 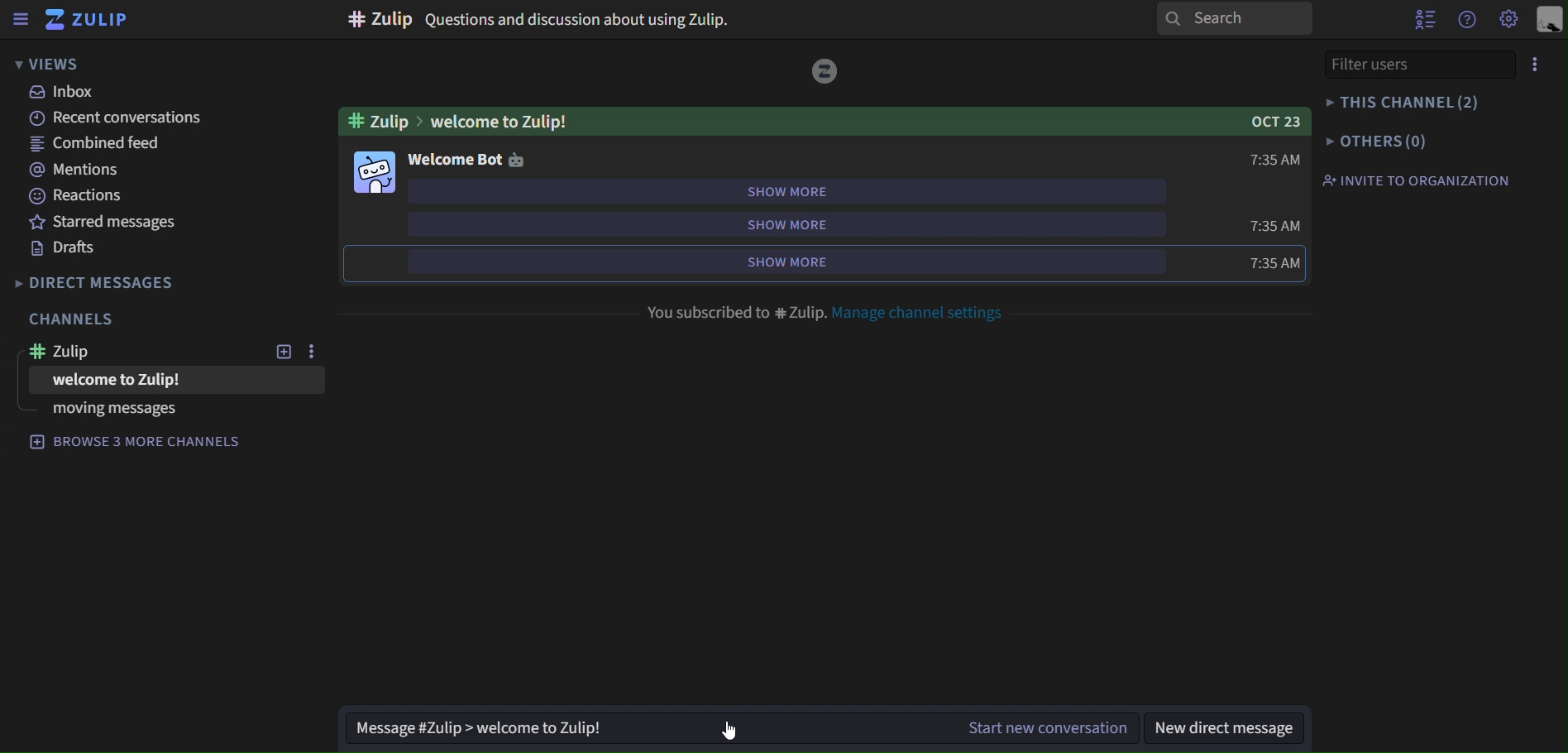 What do you see at coordinates (1221, 727) in the screenshot?
I see `new direct message` at bounding box center [1221, 727].